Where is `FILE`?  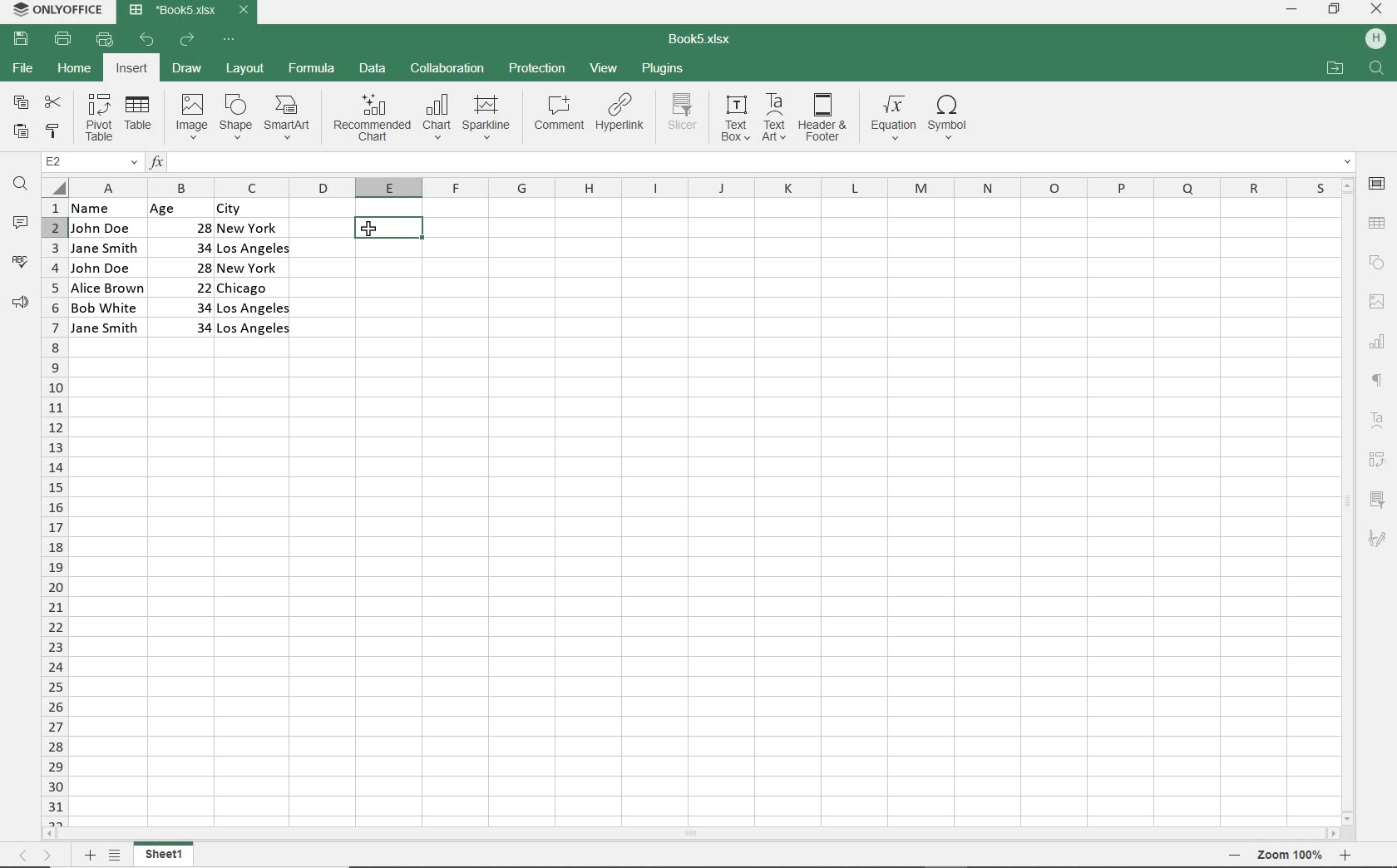
FILE is located at coordinates (22, 68).